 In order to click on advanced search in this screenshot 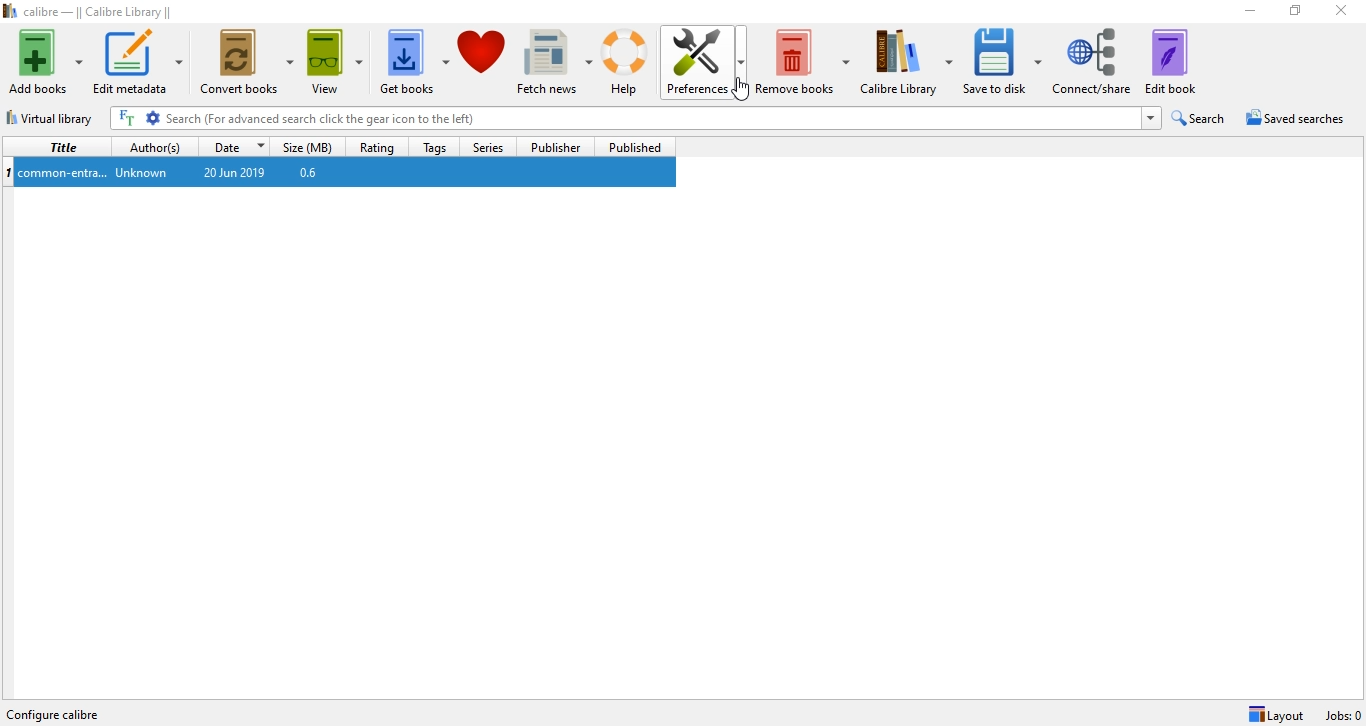, I will do `click(154, 118)`.